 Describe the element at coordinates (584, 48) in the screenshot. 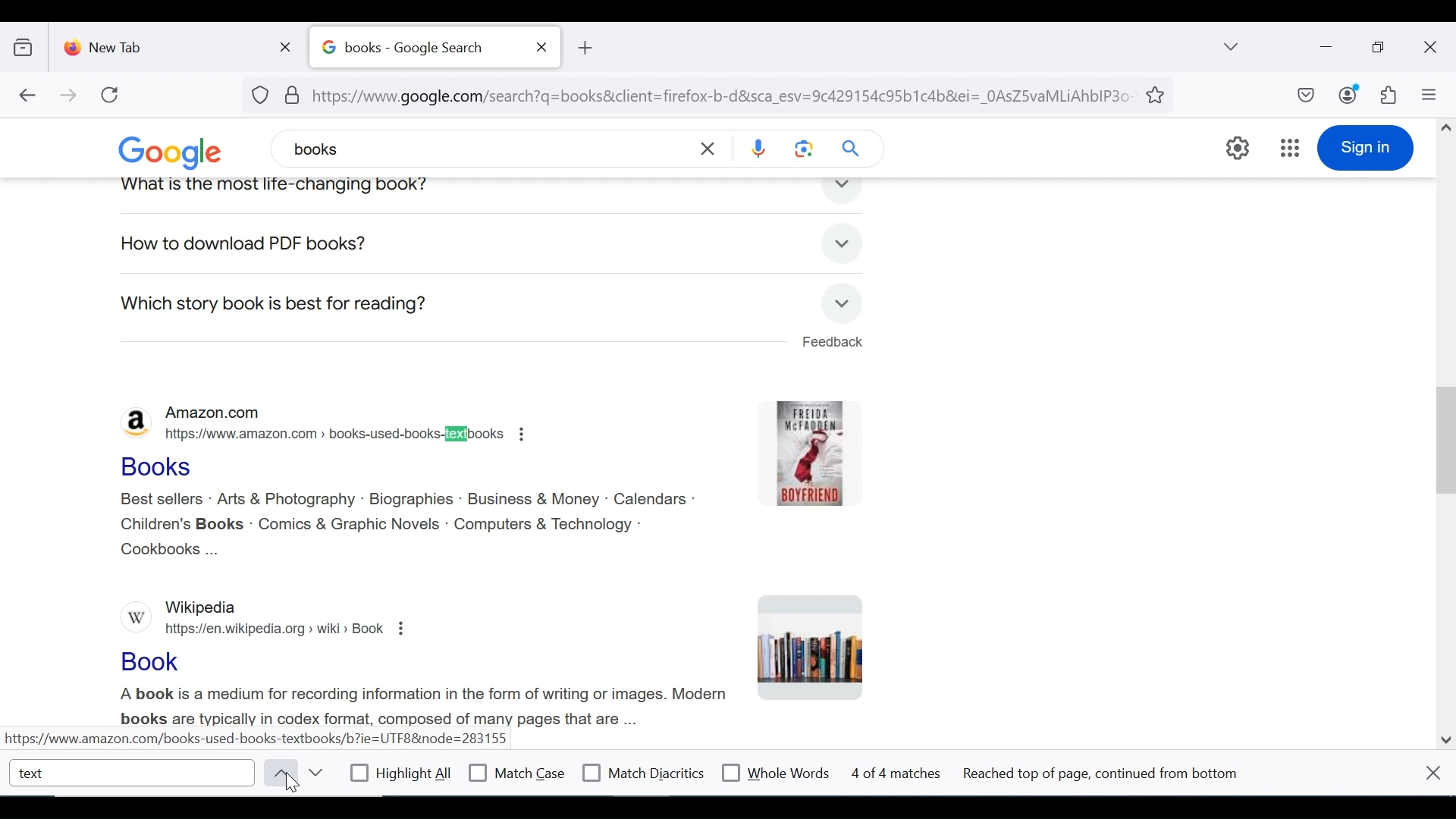

I see `new tB` at that location.